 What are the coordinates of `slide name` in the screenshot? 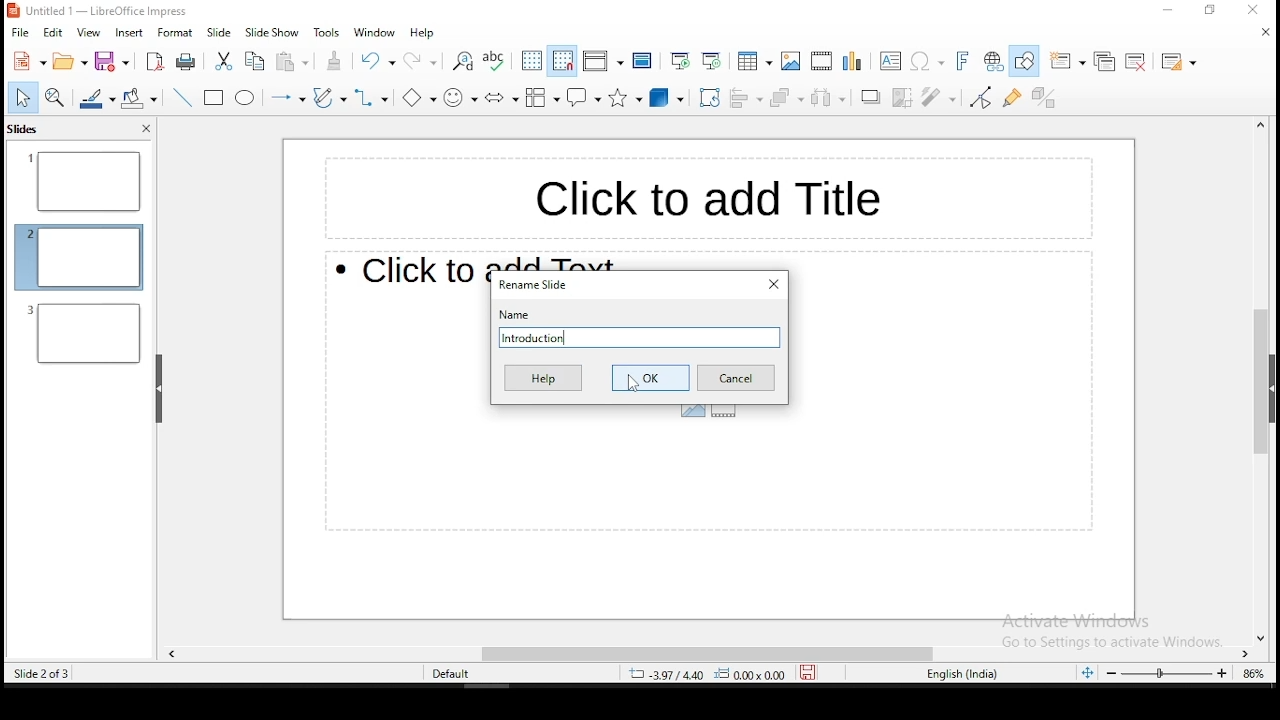 It's located at (640, 335).